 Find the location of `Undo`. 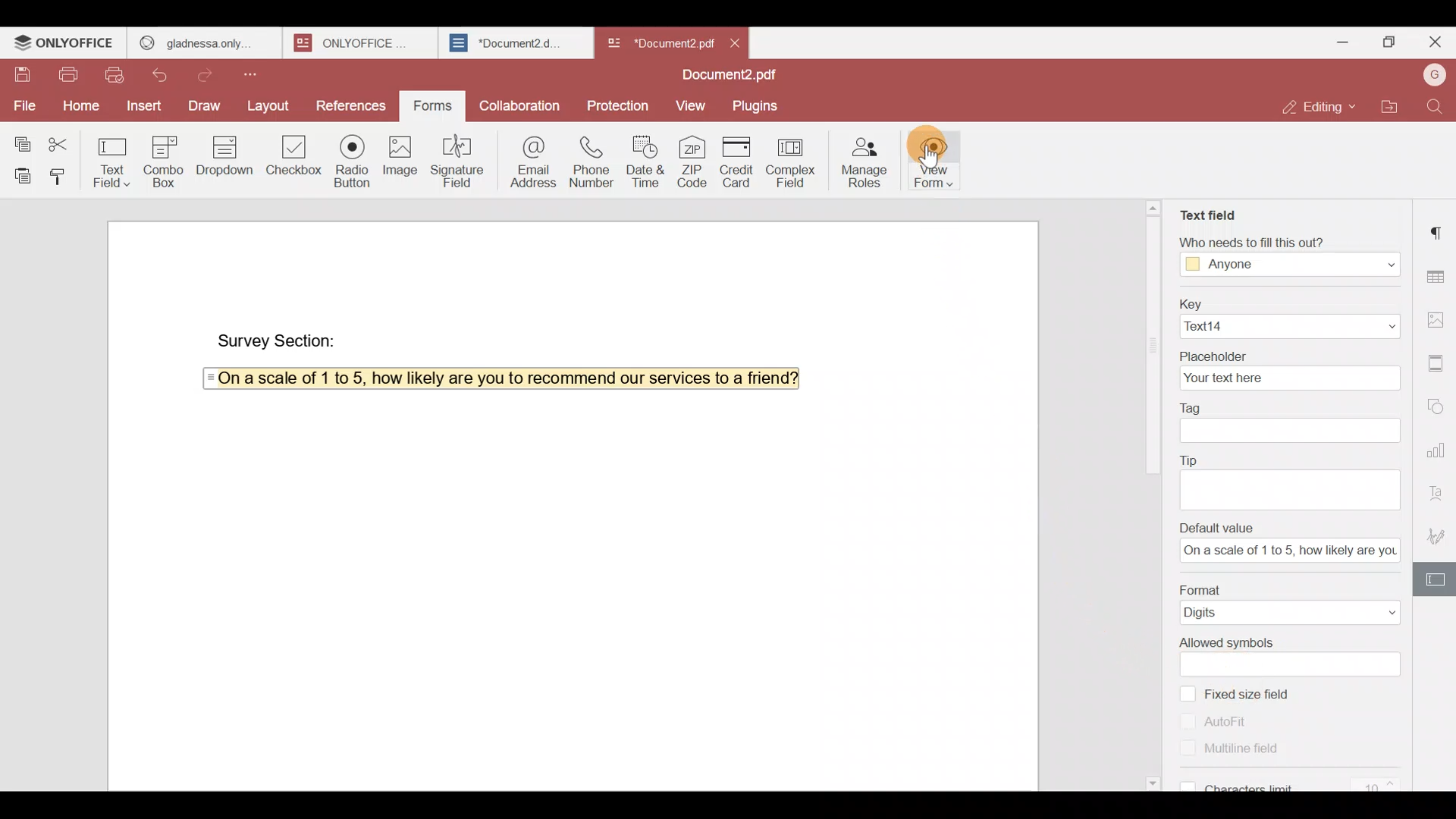

Undo is located at coordinates (163, 76).